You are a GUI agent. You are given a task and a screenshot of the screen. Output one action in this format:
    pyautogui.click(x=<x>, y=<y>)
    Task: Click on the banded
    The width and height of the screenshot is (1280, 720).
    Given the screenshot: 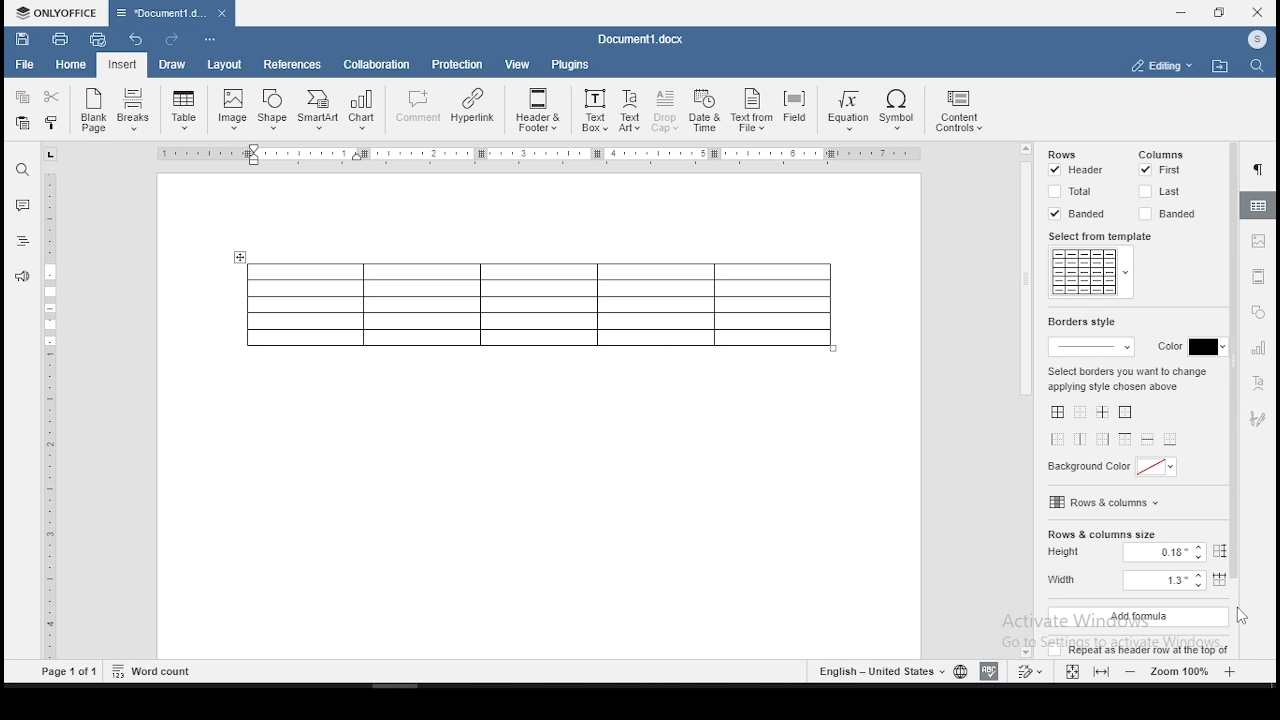 What is the action you would take?
    pyautogui.click(x=1077, y=214)
    